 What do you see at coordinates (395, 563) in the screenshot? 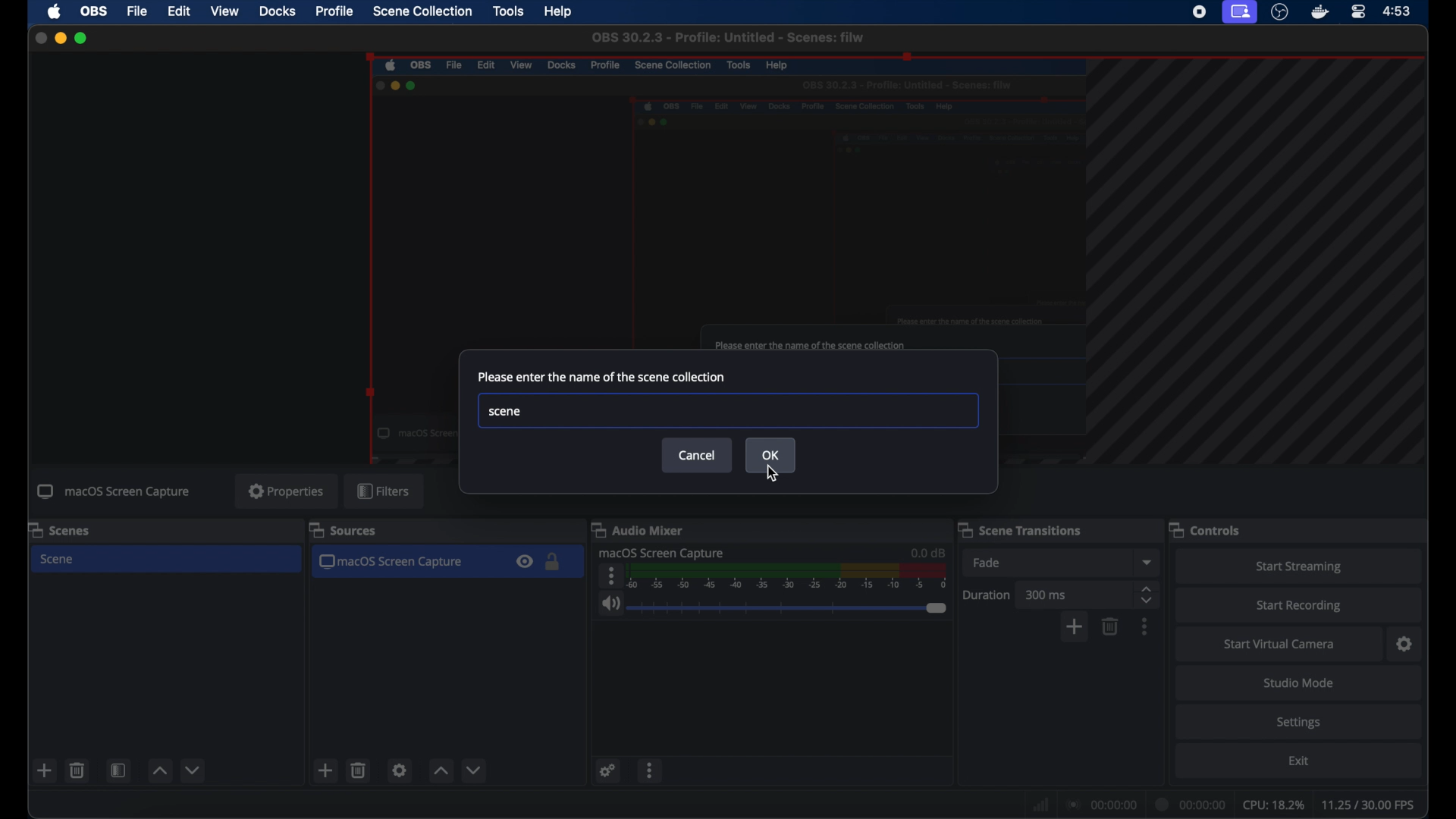
I see `macos screen capture` at bounding box center [395, 563].